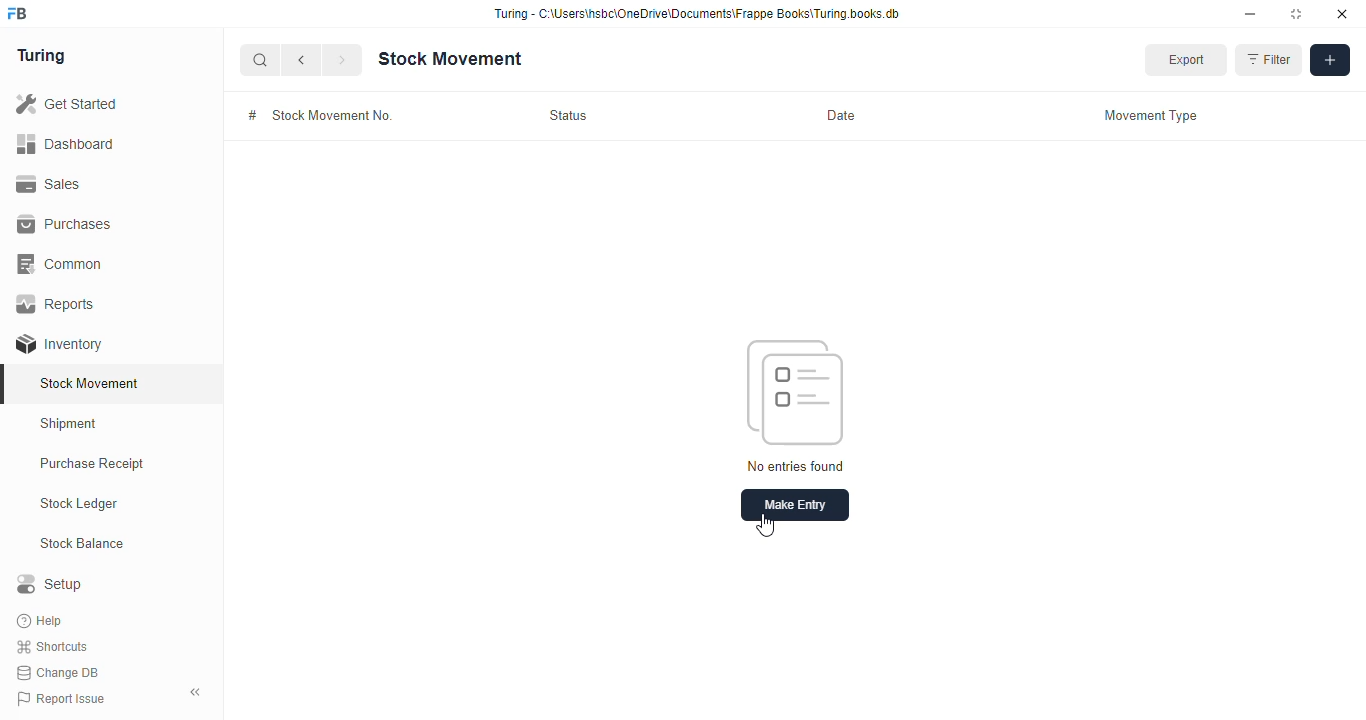 This screenshot has width=1366, height=720. Describe the element at coordinates (49, 583) in the screenshot. I see `setup` at that location.